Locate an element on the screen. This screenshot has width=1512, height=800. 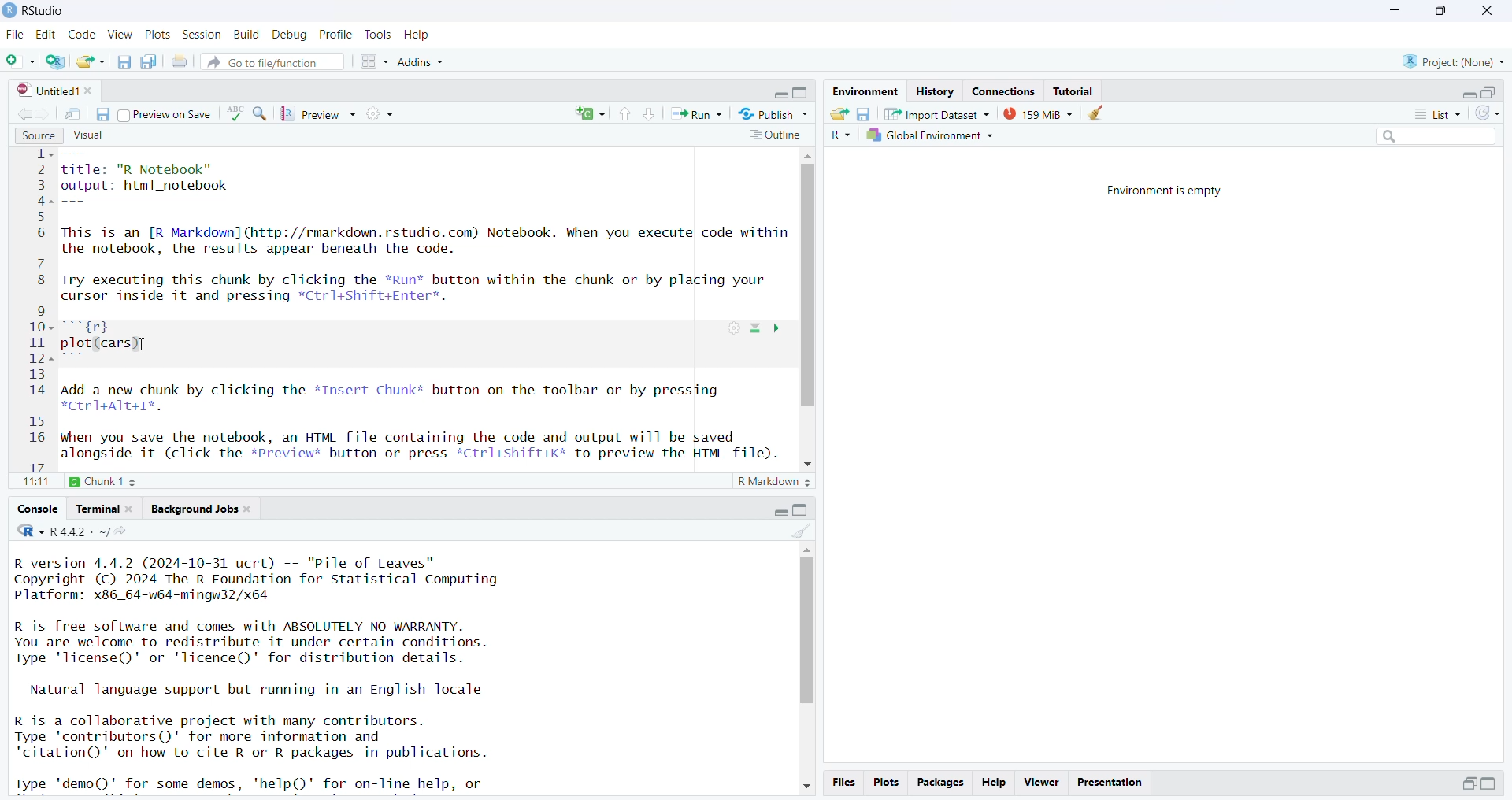
scrollbar is located at coordinates (810, 311).